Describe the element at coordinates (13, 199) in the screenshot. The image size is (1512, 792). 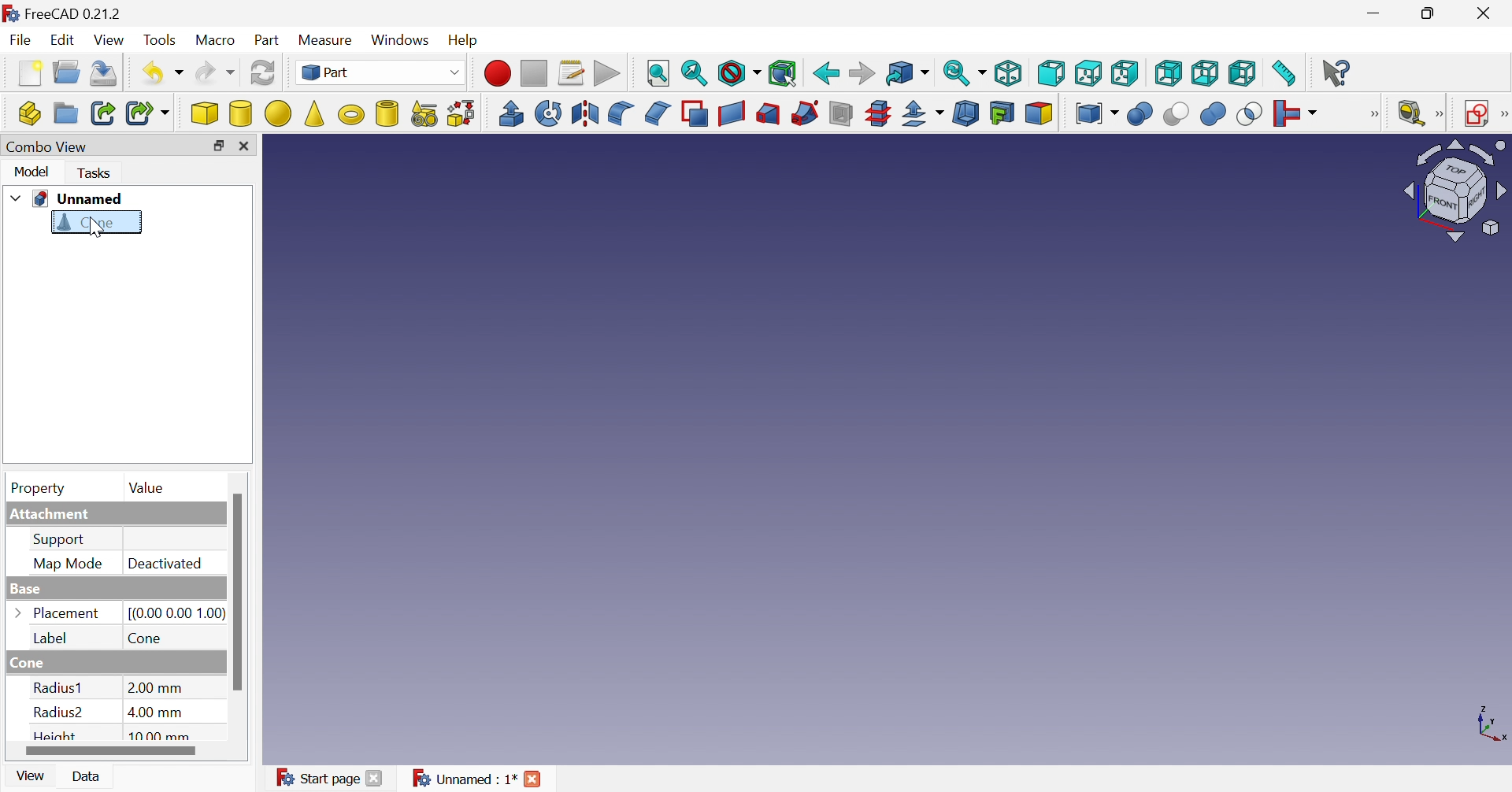
I see `Drop down` at that location.